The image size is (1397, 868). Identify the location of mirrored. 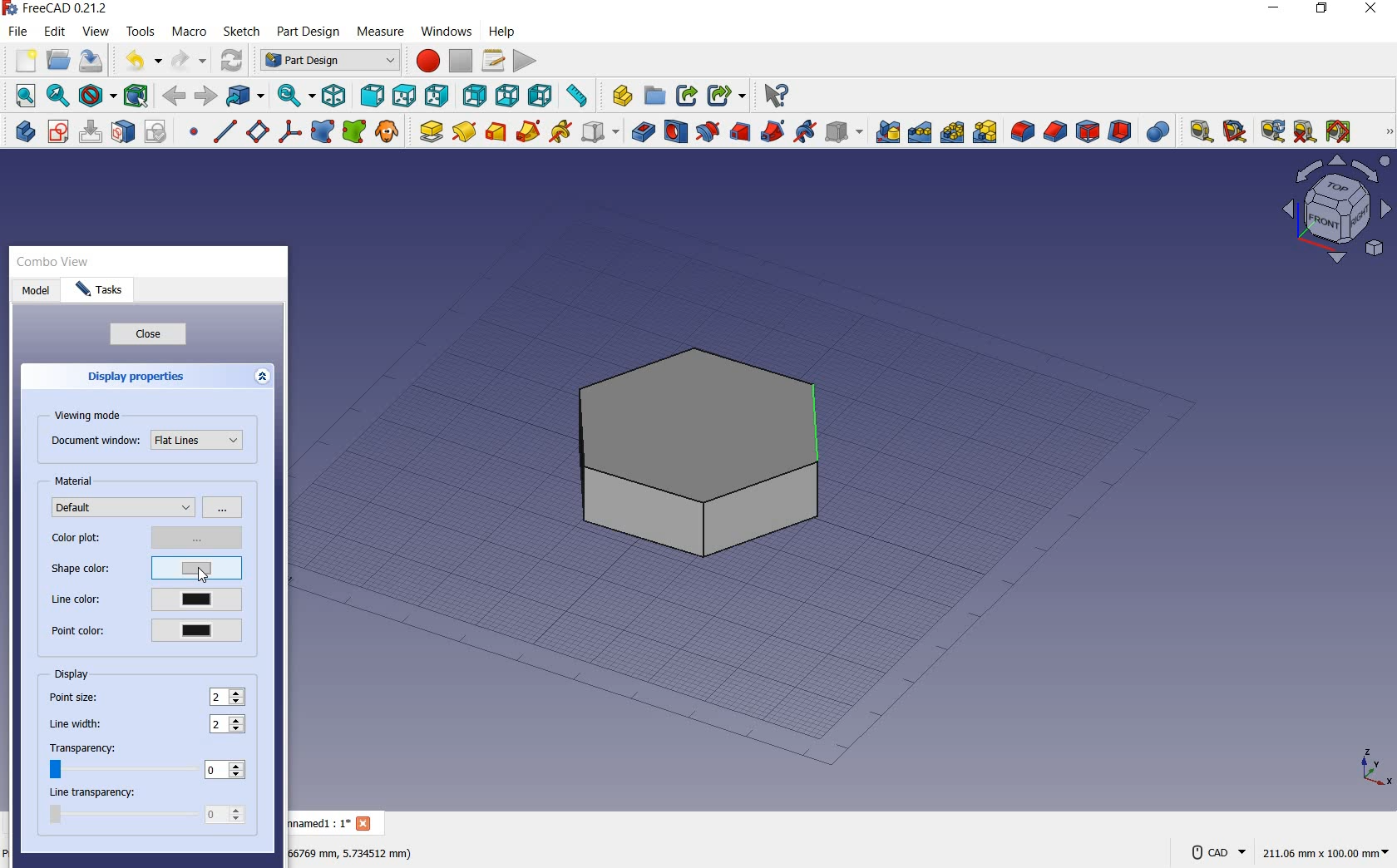
(888, 131).